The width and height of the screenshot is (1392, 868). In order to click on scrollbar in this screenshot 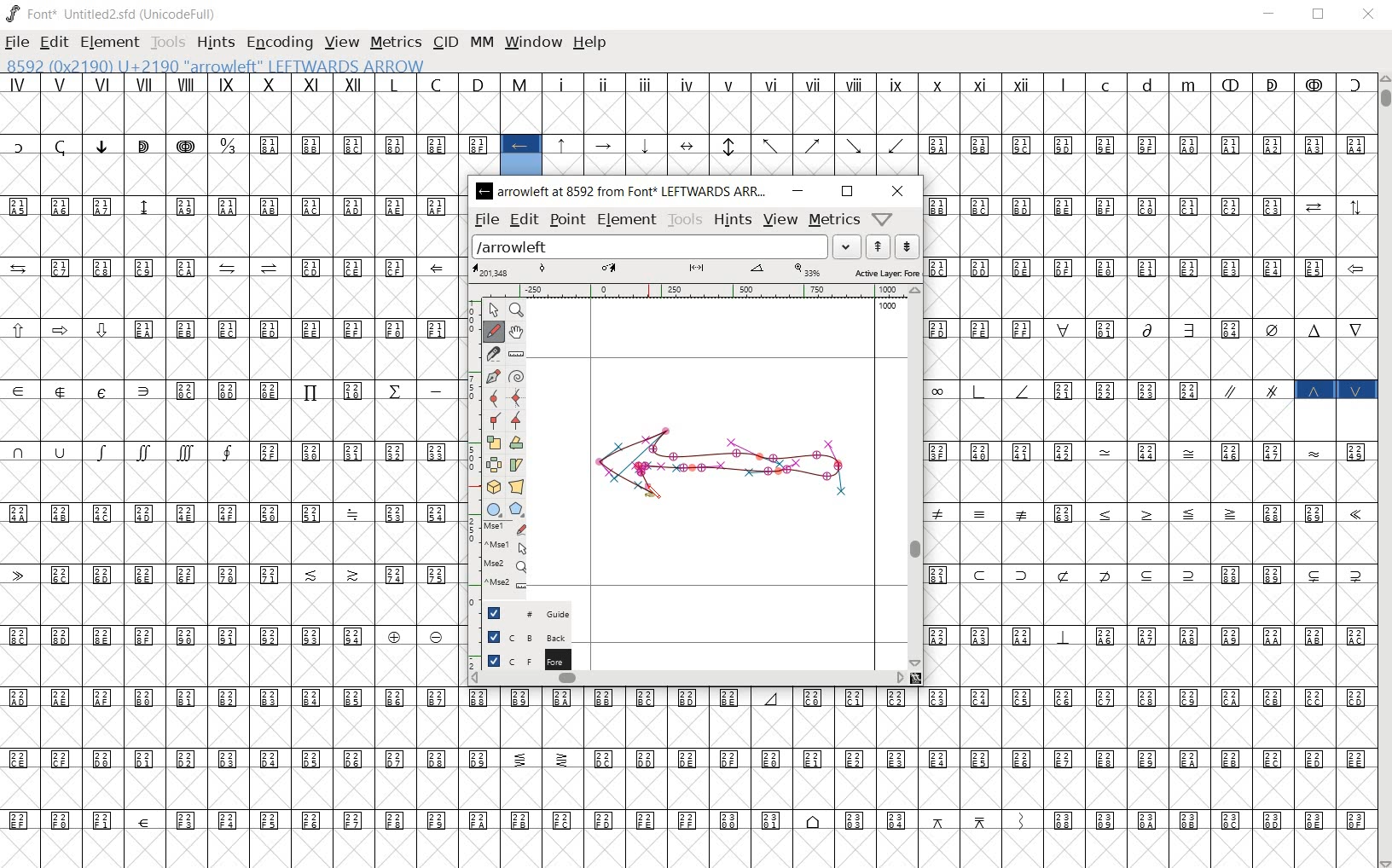, I will do `click(1383, 471)`.